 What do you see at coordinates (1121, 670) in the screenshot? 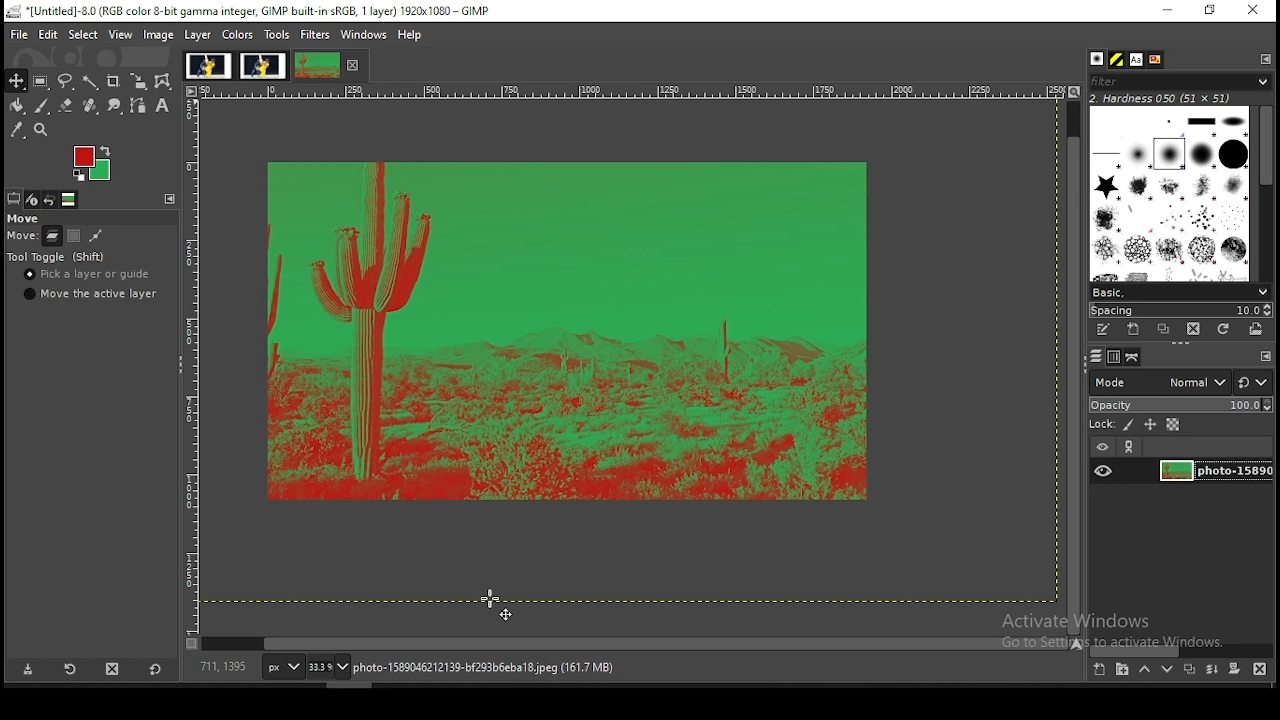
I see `new layer group` at bounding box center [1121, 670].